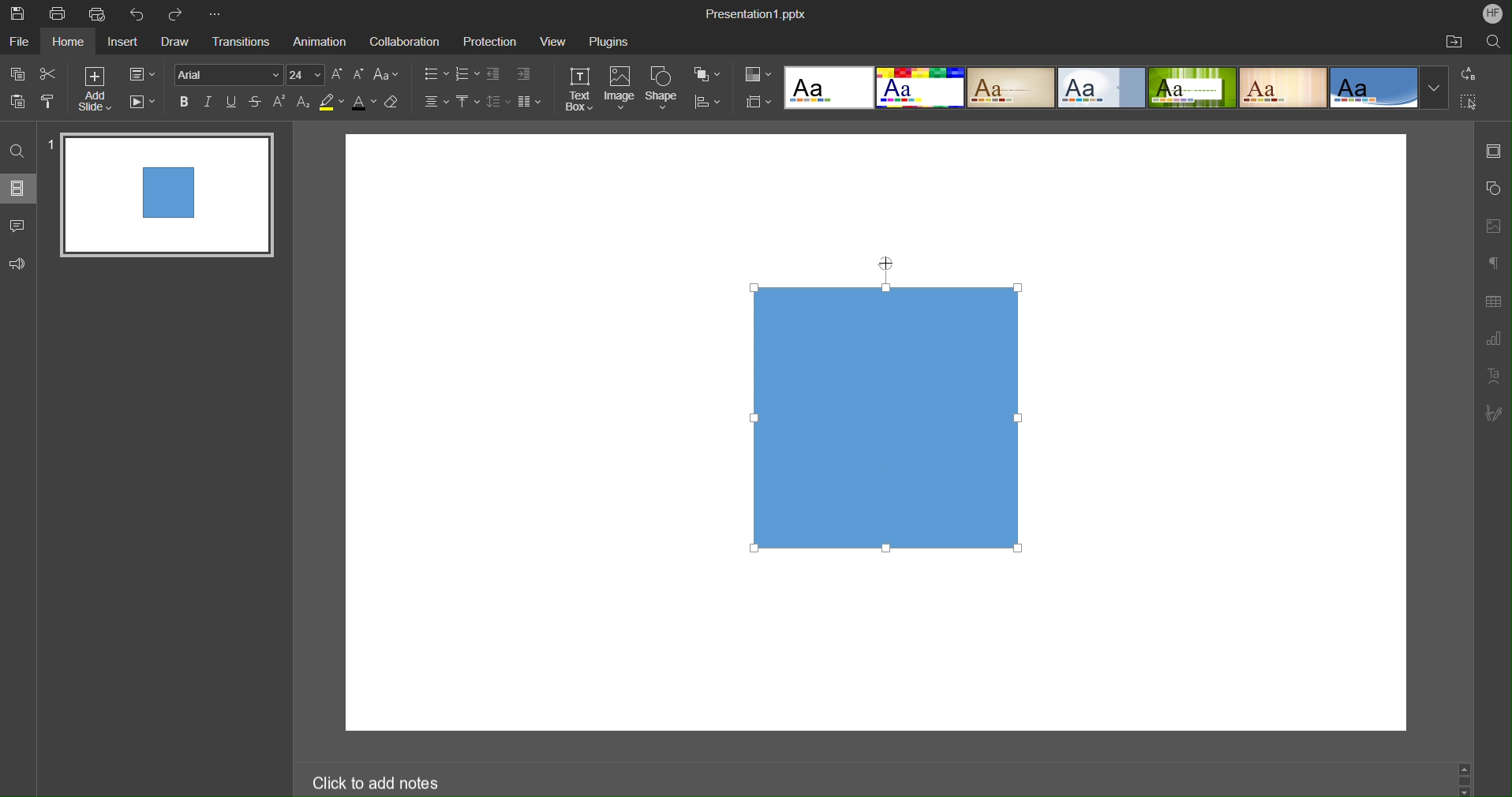 The height and width of the screenshot is (797, 1512). What do you see at coordinates (394, 103) in the screenshot?
I see `Erase Style` at bounding box center [394, 103].